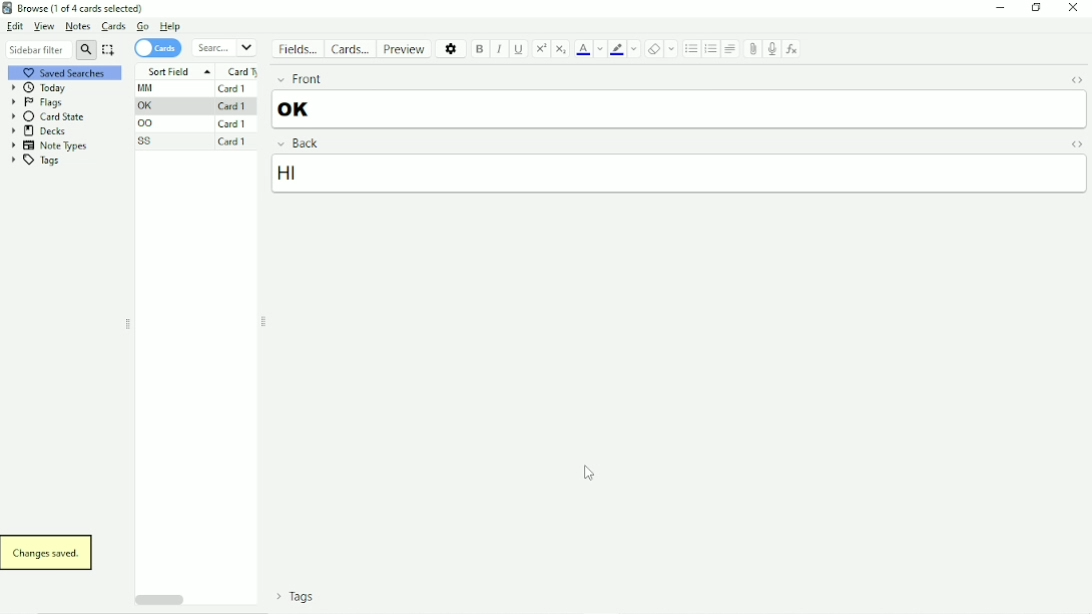  I want to click on Preview, so click(406, 48).